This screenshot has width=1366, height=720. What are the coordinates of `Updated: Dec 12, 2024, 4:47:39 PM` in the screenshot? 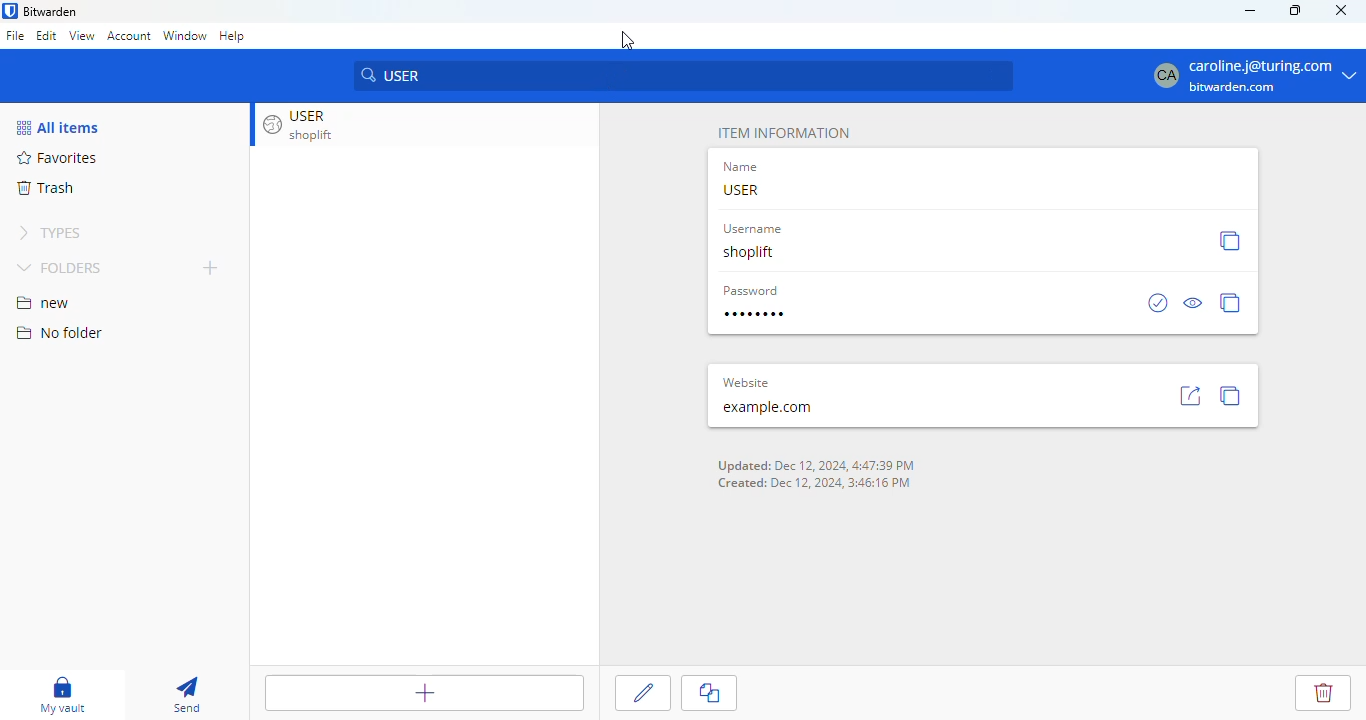 It's located at (816, 463).